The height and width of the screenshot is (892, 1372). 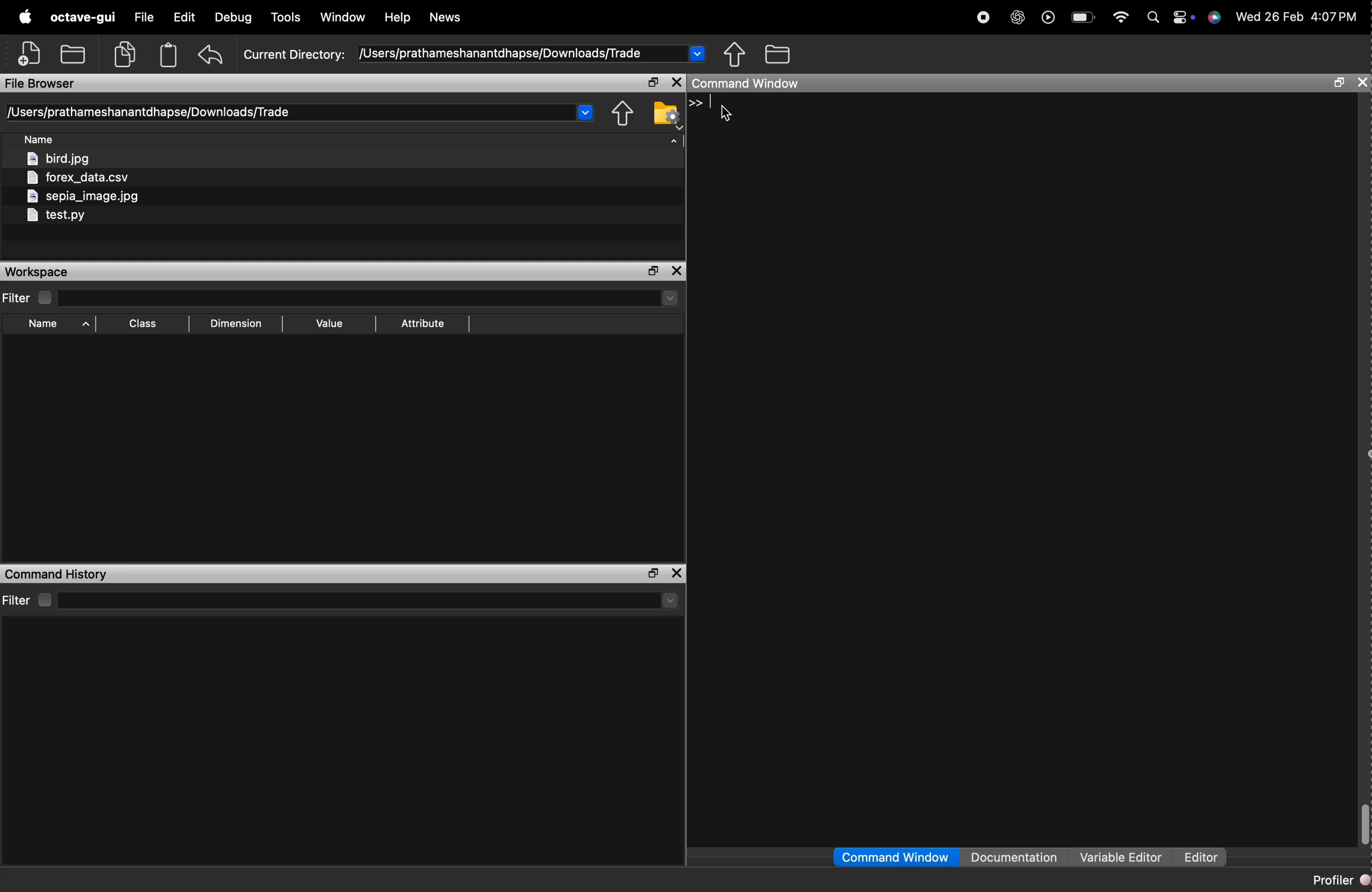 I want to click on News, so click(x=448, y=17).